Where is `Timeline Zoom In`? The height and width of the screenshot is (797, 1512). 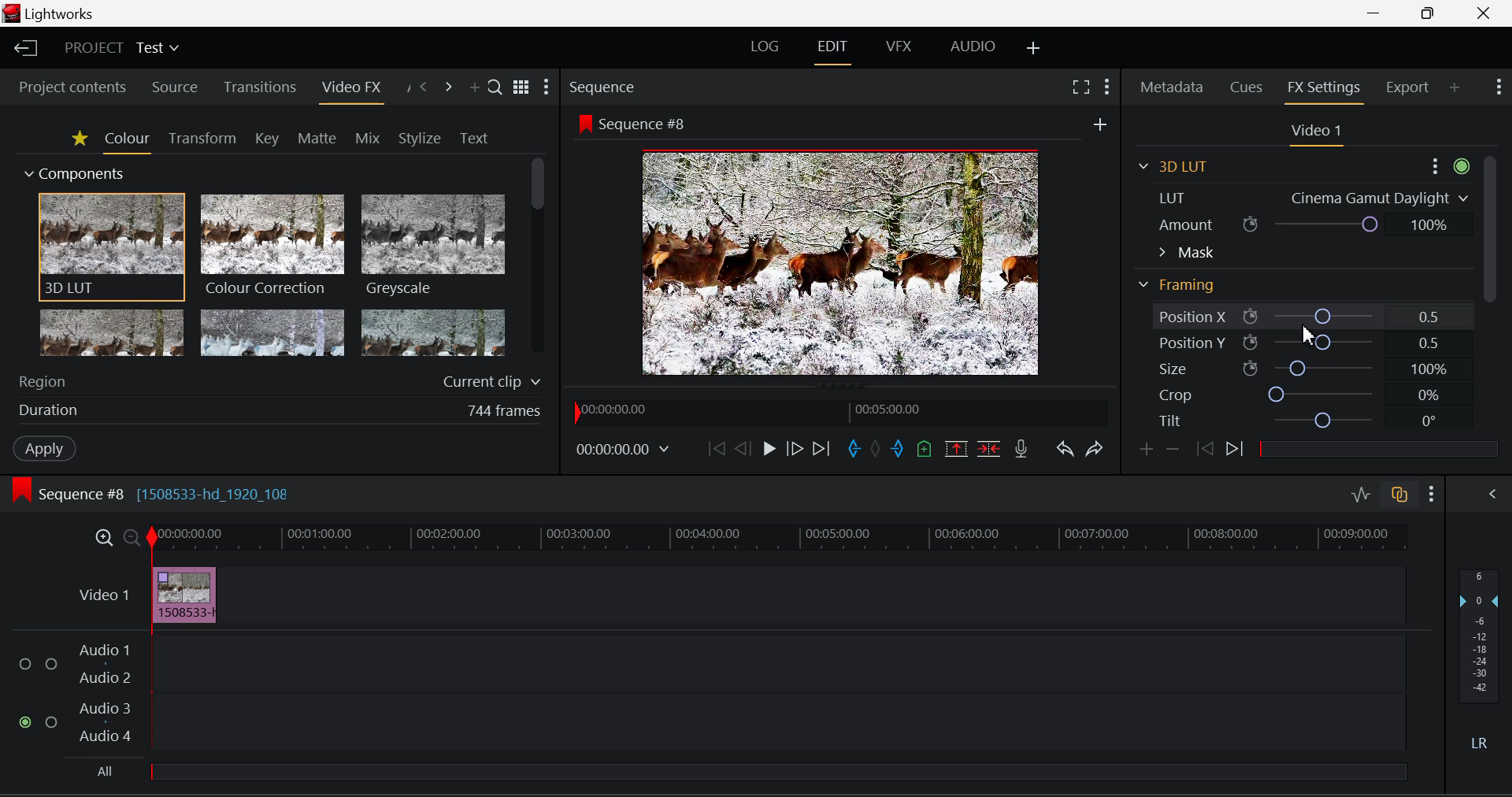 Timeline Zoom In is located at coordinates (103, 537).